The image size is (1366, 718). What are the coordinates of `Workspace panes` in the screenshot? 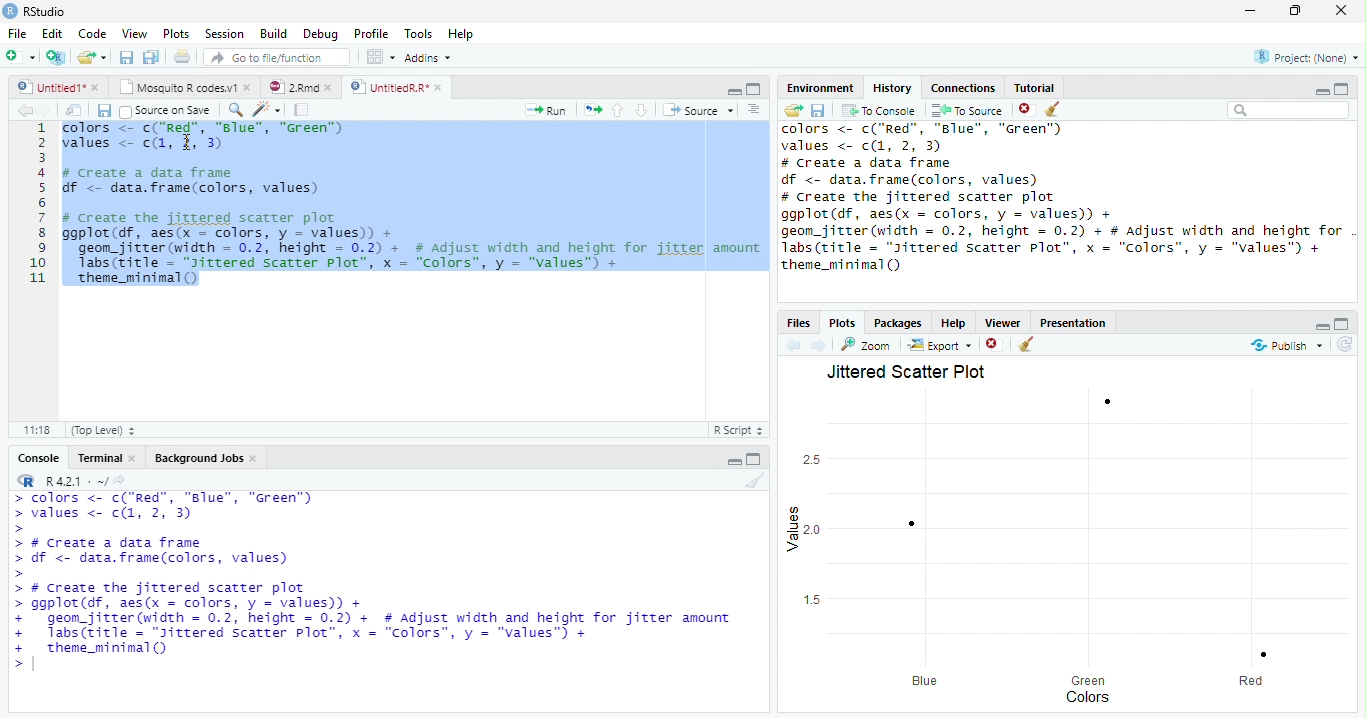 It's located at (381, 58).